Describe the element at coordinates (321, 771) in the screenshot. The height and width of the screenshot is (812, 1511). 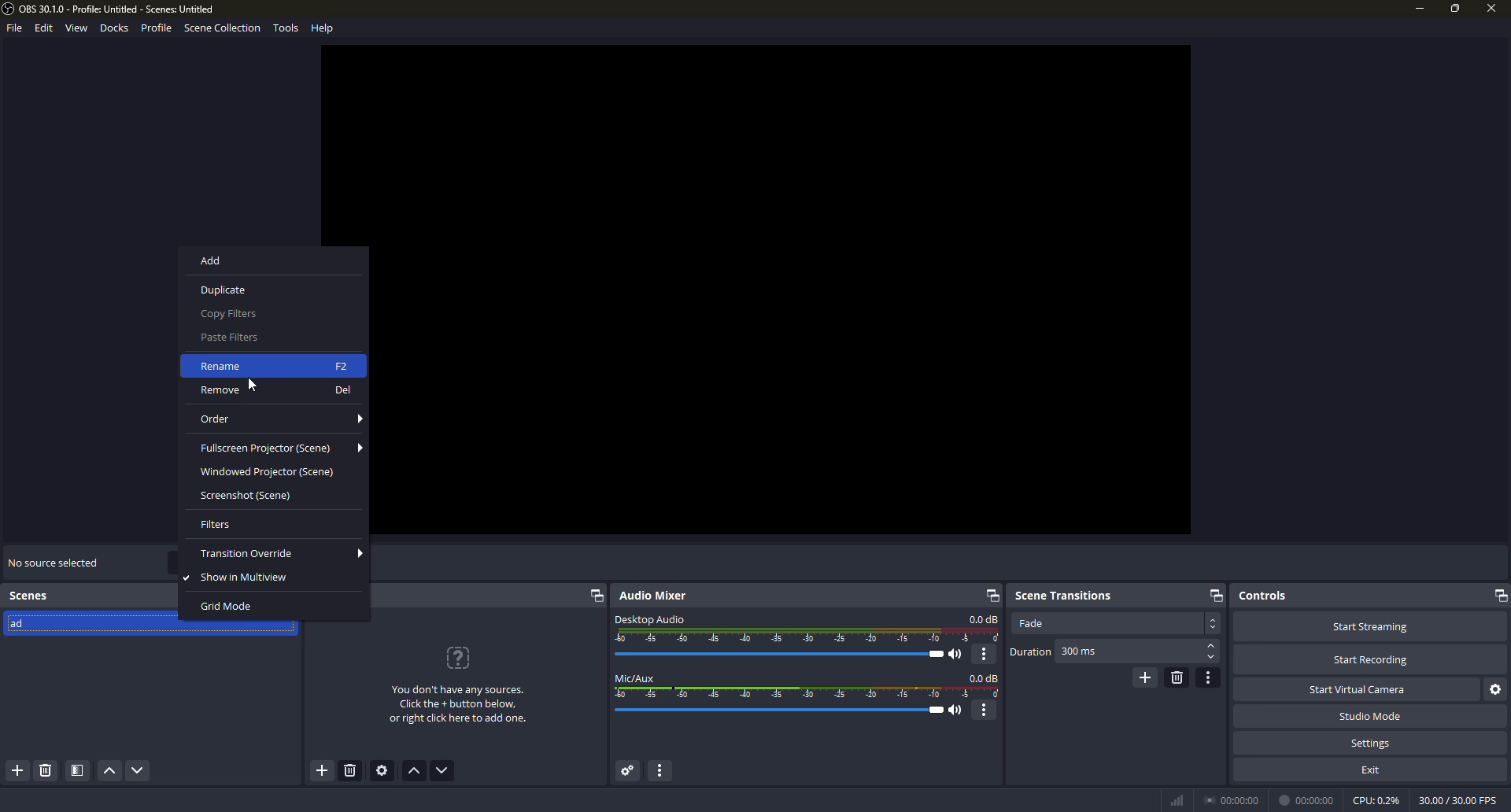
I see `add source` at that location.